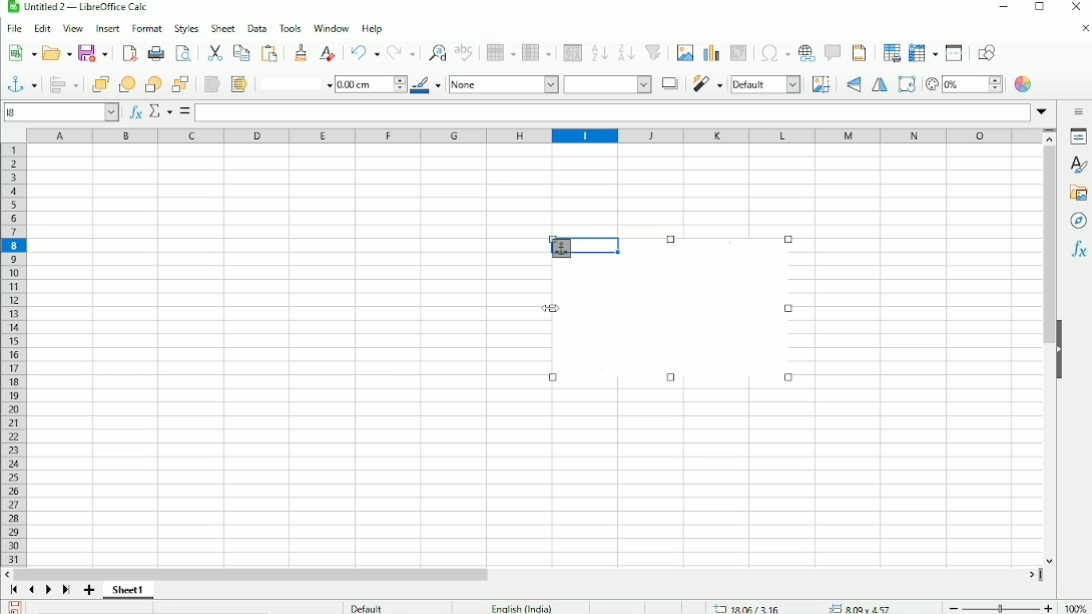 Image resolution: width=1092 pixels, height=614 pixels. I want to click on cursor, so click(546, 306).